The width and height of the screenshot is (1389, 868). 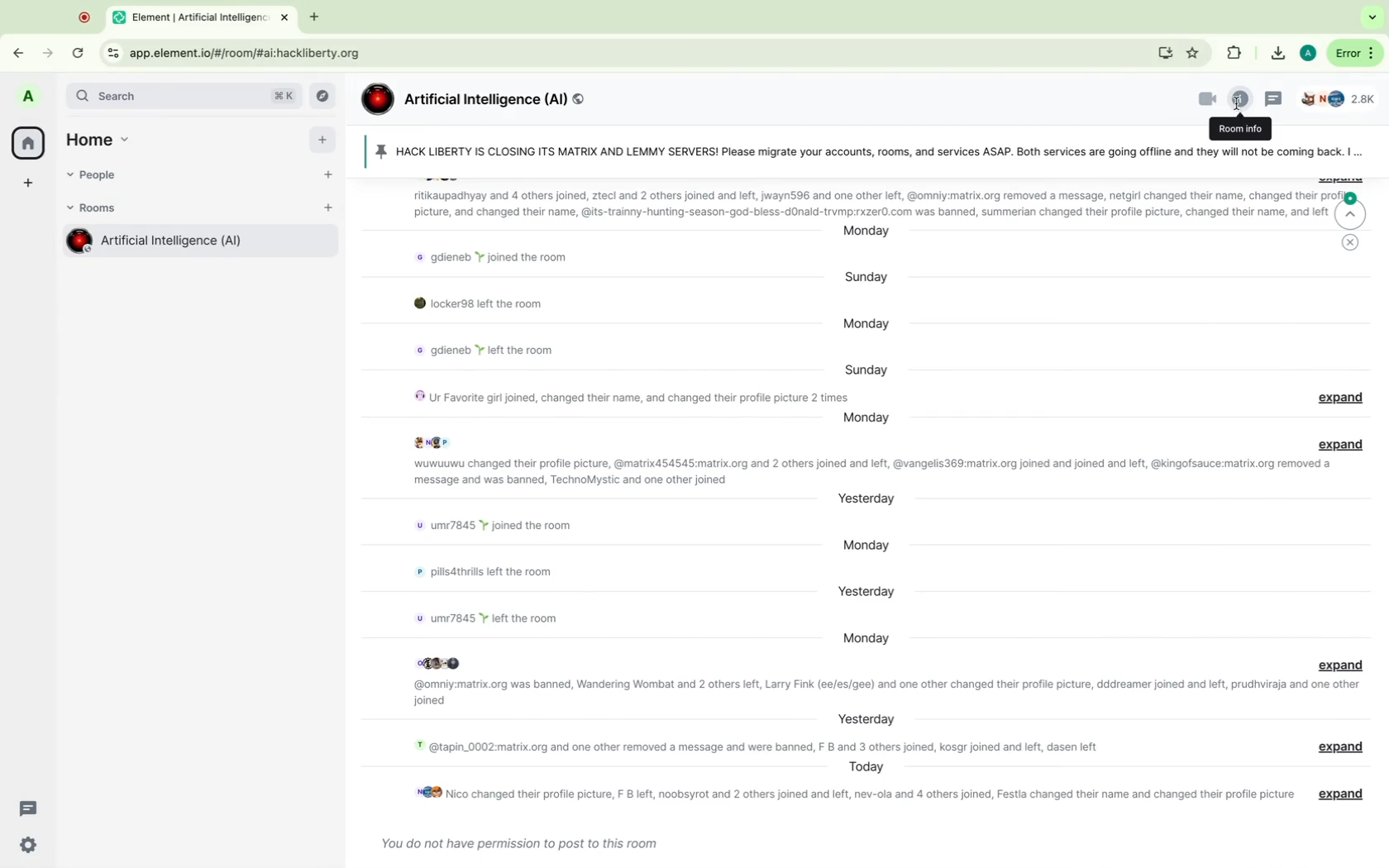 I want to click on view site information, so click(x=112, y=54).